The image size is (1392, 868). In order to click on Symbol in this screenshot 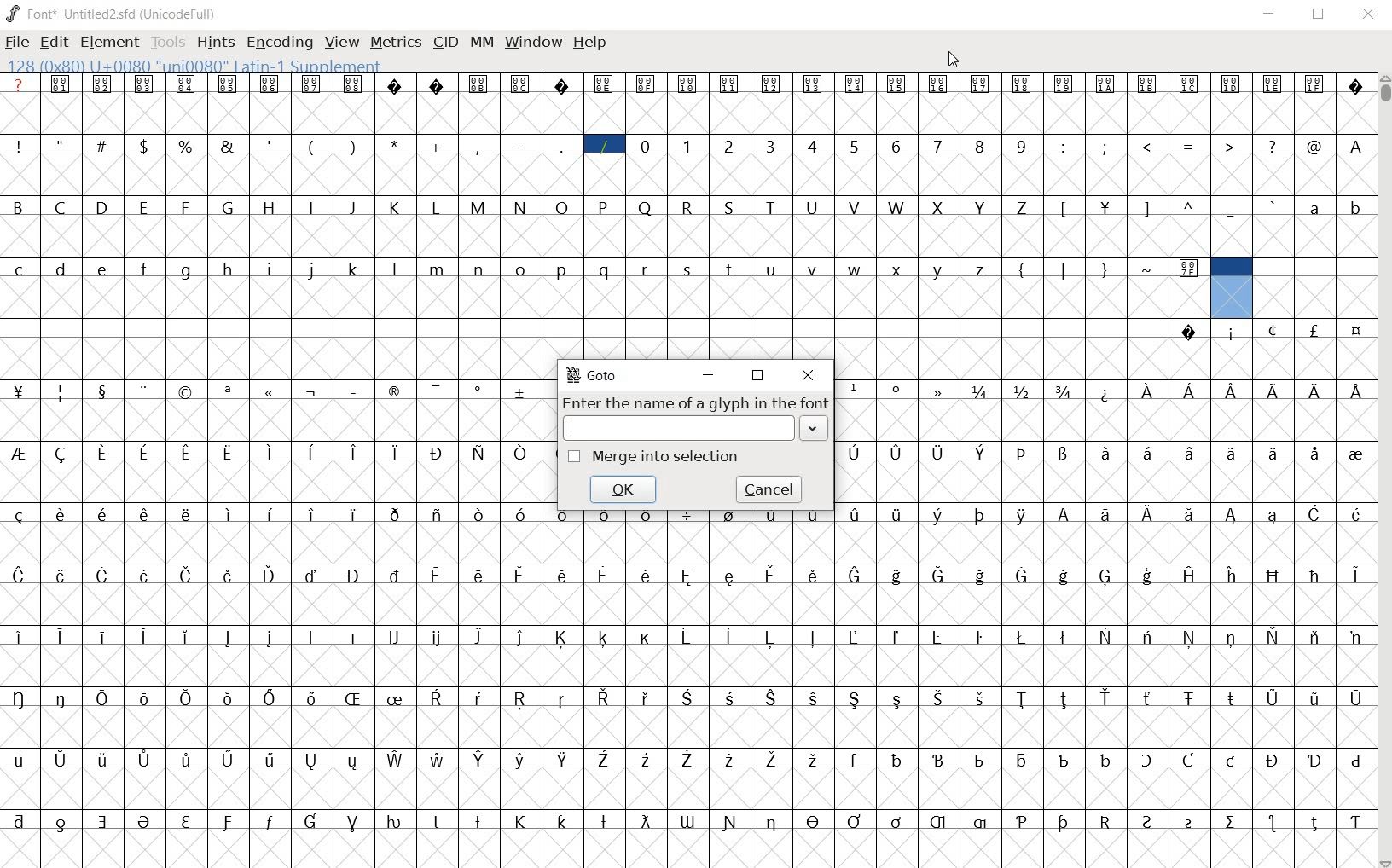, I will do `click(439, 819)`.